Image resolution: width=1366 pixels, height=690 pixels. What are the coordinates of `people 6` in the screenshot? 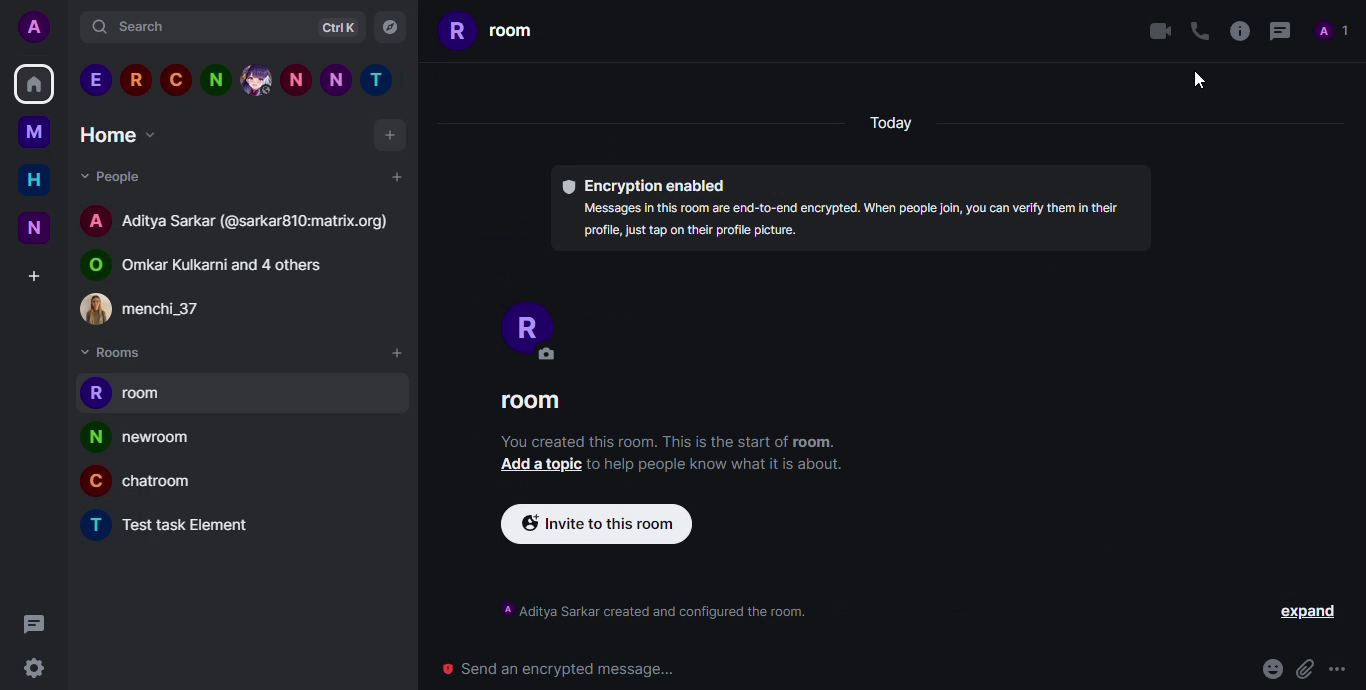 It's located at (296, 79).